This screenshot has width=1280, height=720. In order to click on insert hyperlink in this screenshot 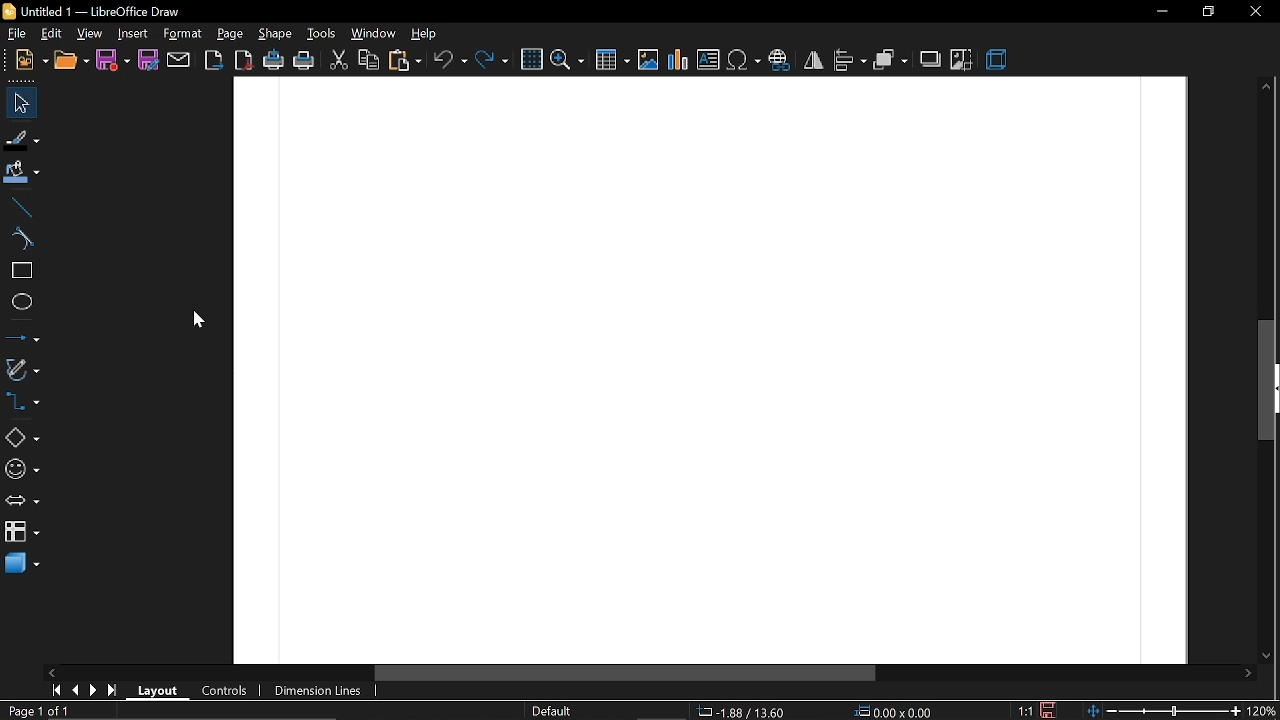, I will do `click(780, 61)`.